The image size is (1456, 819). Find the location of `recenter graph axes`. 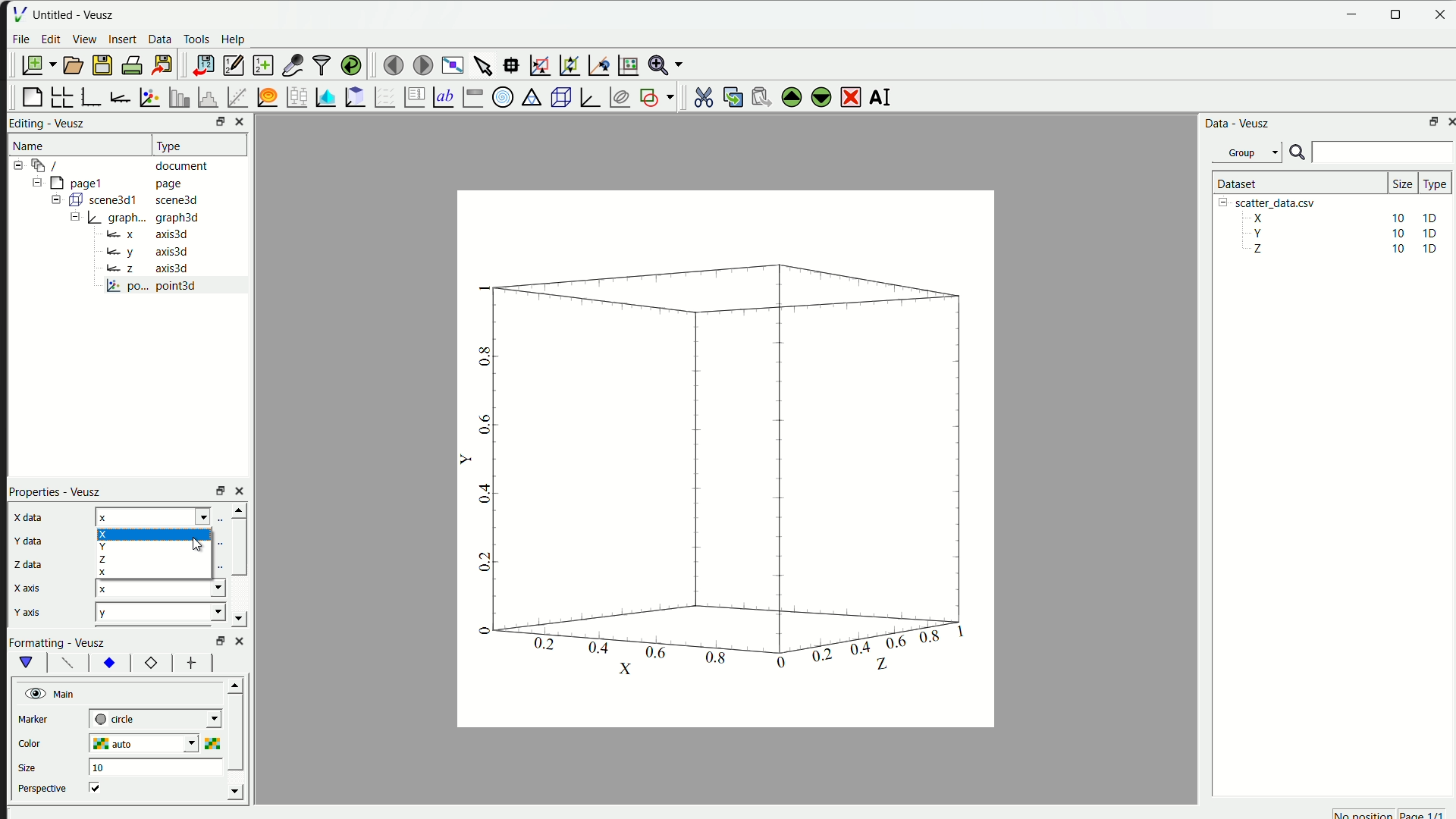

recenter graph axes is located at coordinates (595, 62).